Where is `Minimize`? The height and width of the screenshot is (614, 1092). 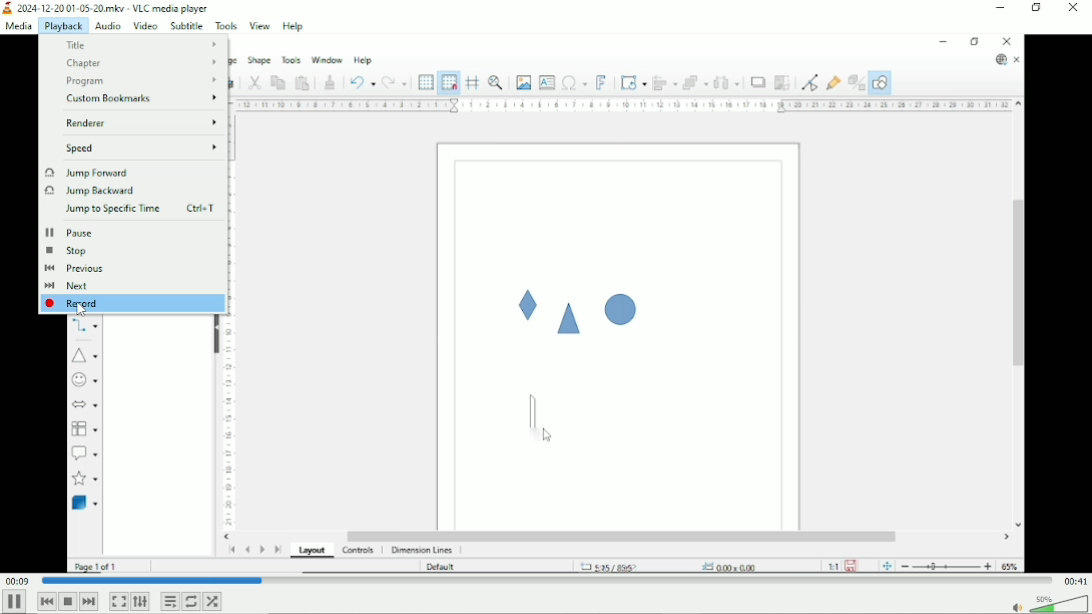 Minimize is located at coordinates (1000, 8).